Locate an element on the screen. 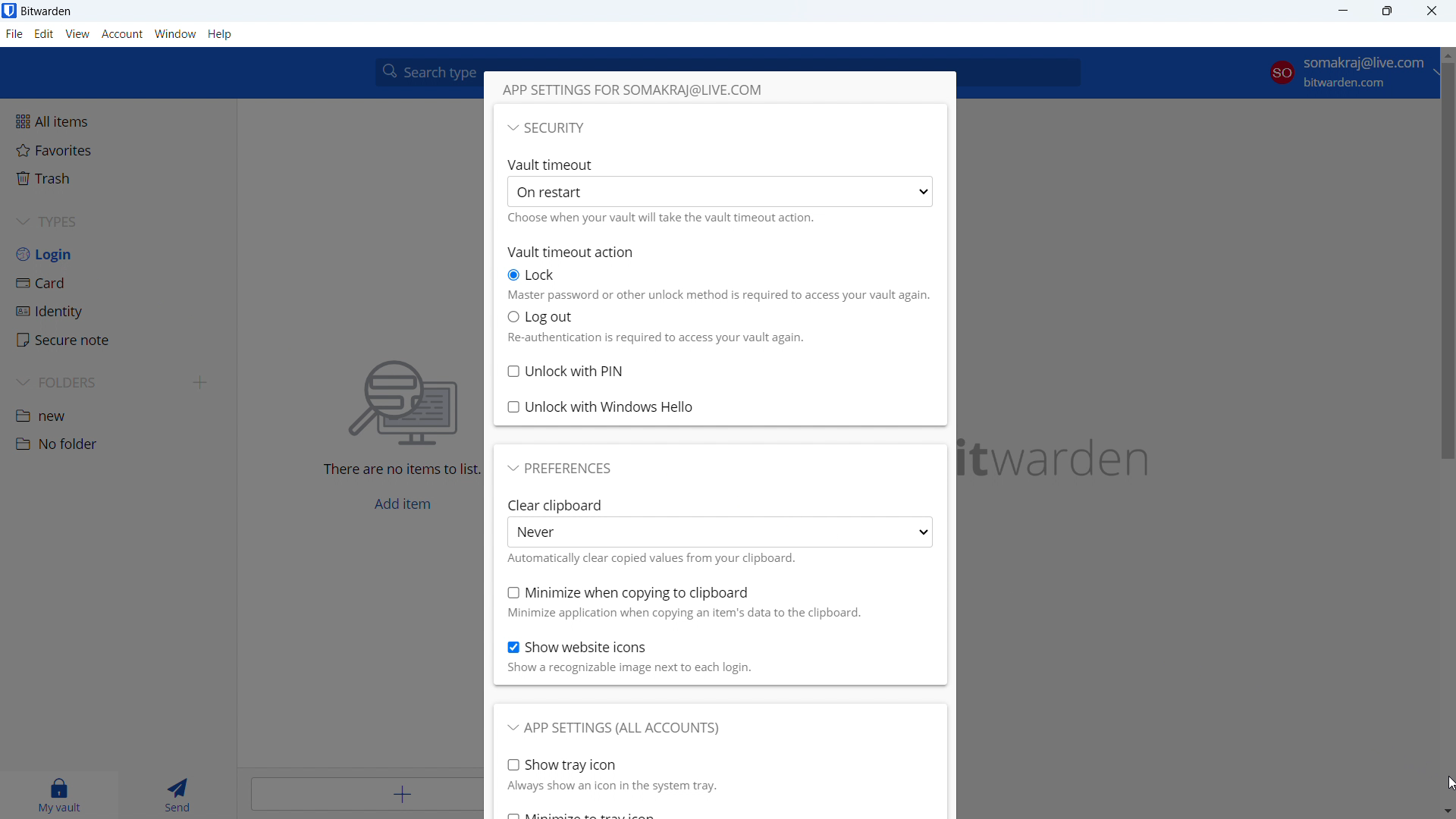  app settings for all accounts is located at coordinates (614, 728).